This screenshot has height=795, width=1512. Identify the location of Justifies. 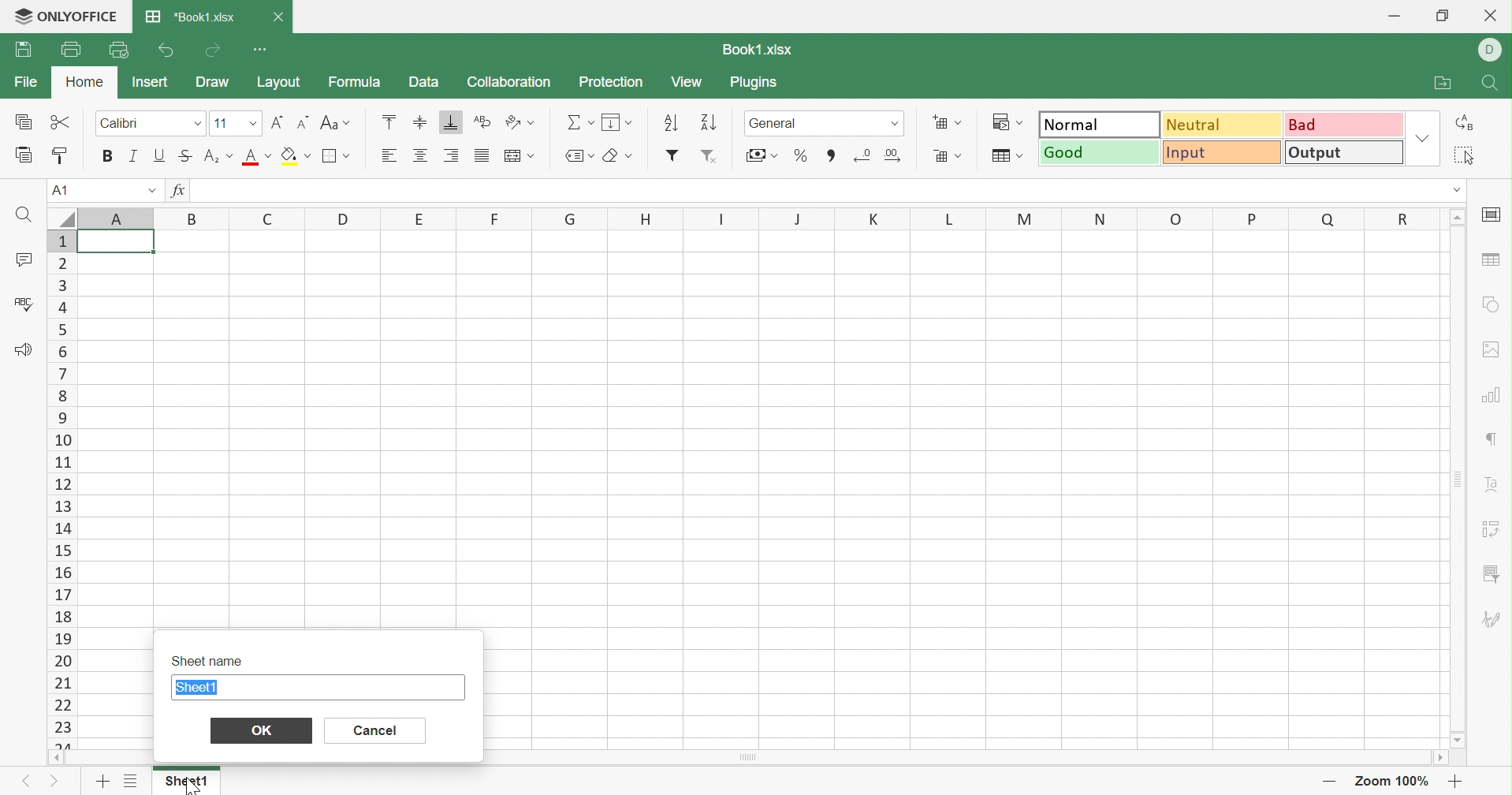
(483, 155).